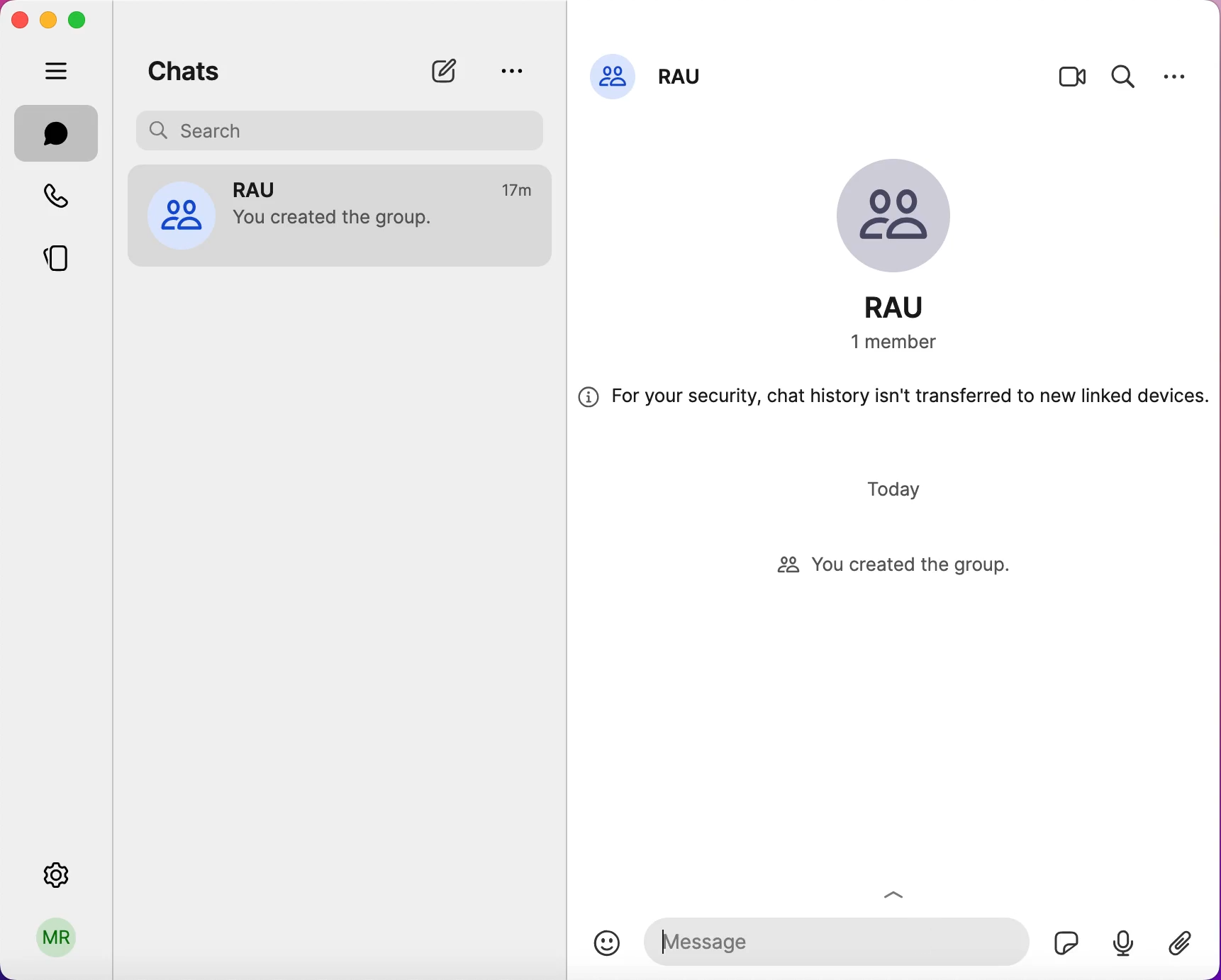  I want to click on profile picture, so click(613, 74).